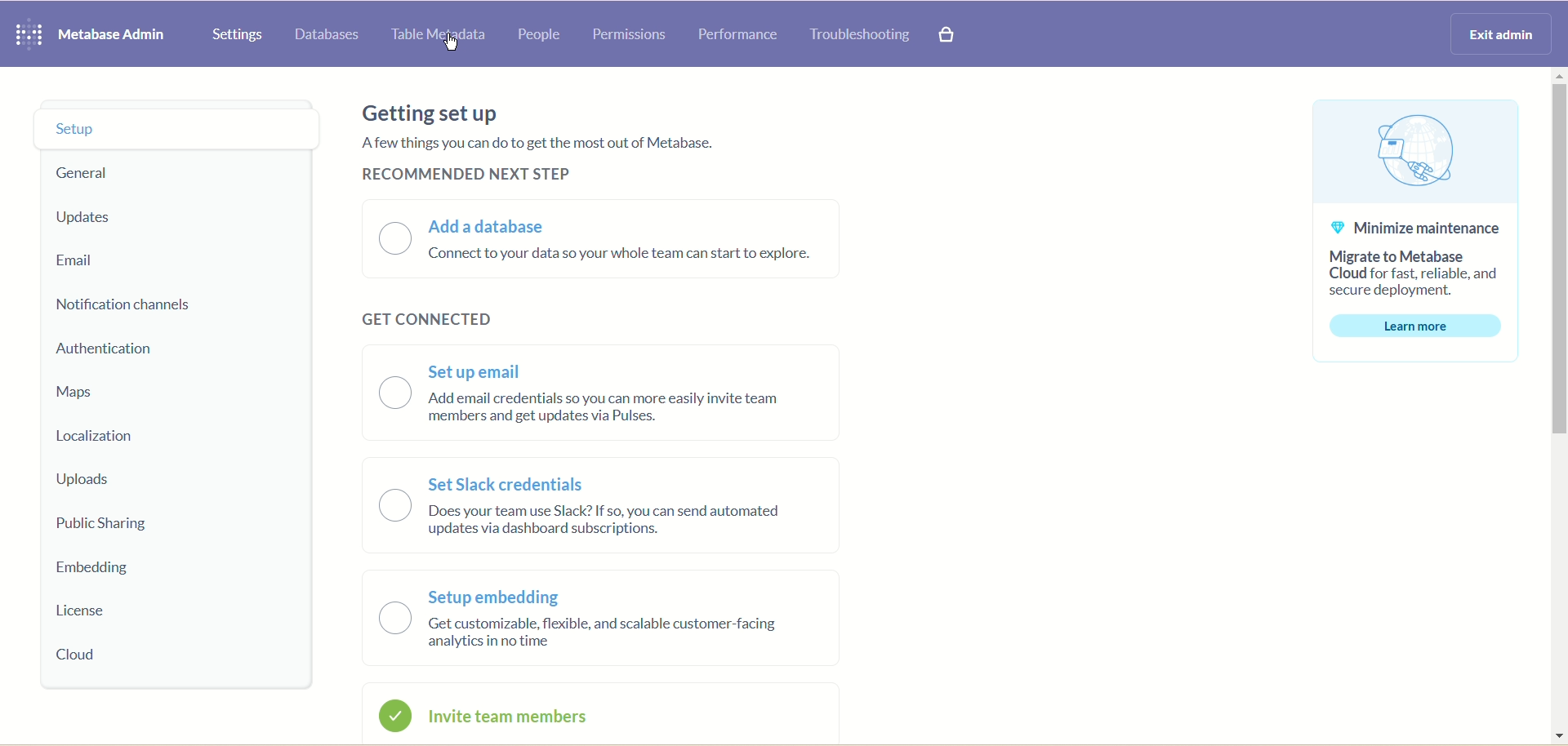 The height and width of the screenshot is (746, 1568). What do you see at coordinates (140, 261) in the screenshot?
I see `Email` at bounding box center [140, 261].